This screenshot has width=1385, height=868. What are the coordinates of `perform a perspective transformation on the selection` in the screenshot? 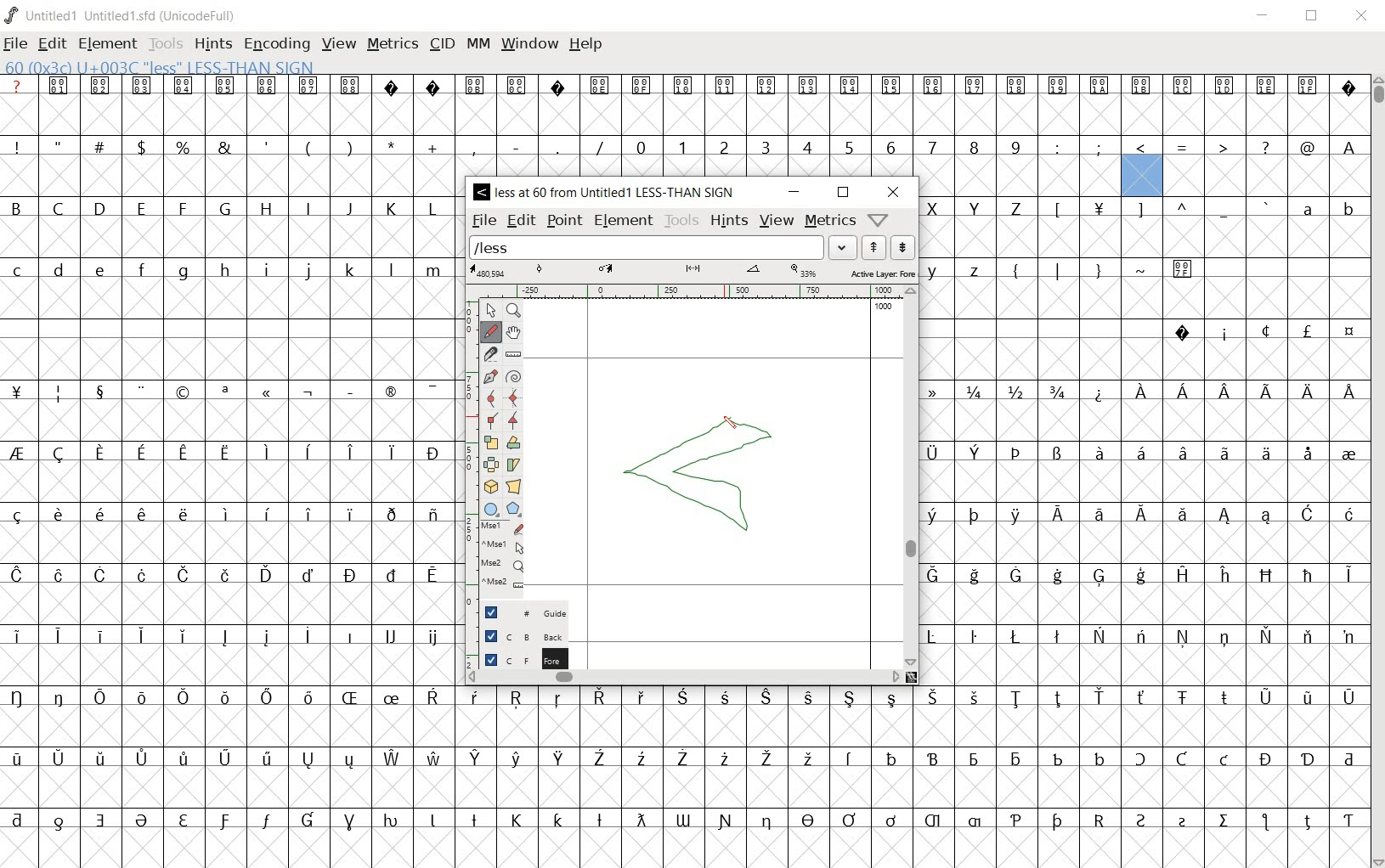 It's located at (514, 487).